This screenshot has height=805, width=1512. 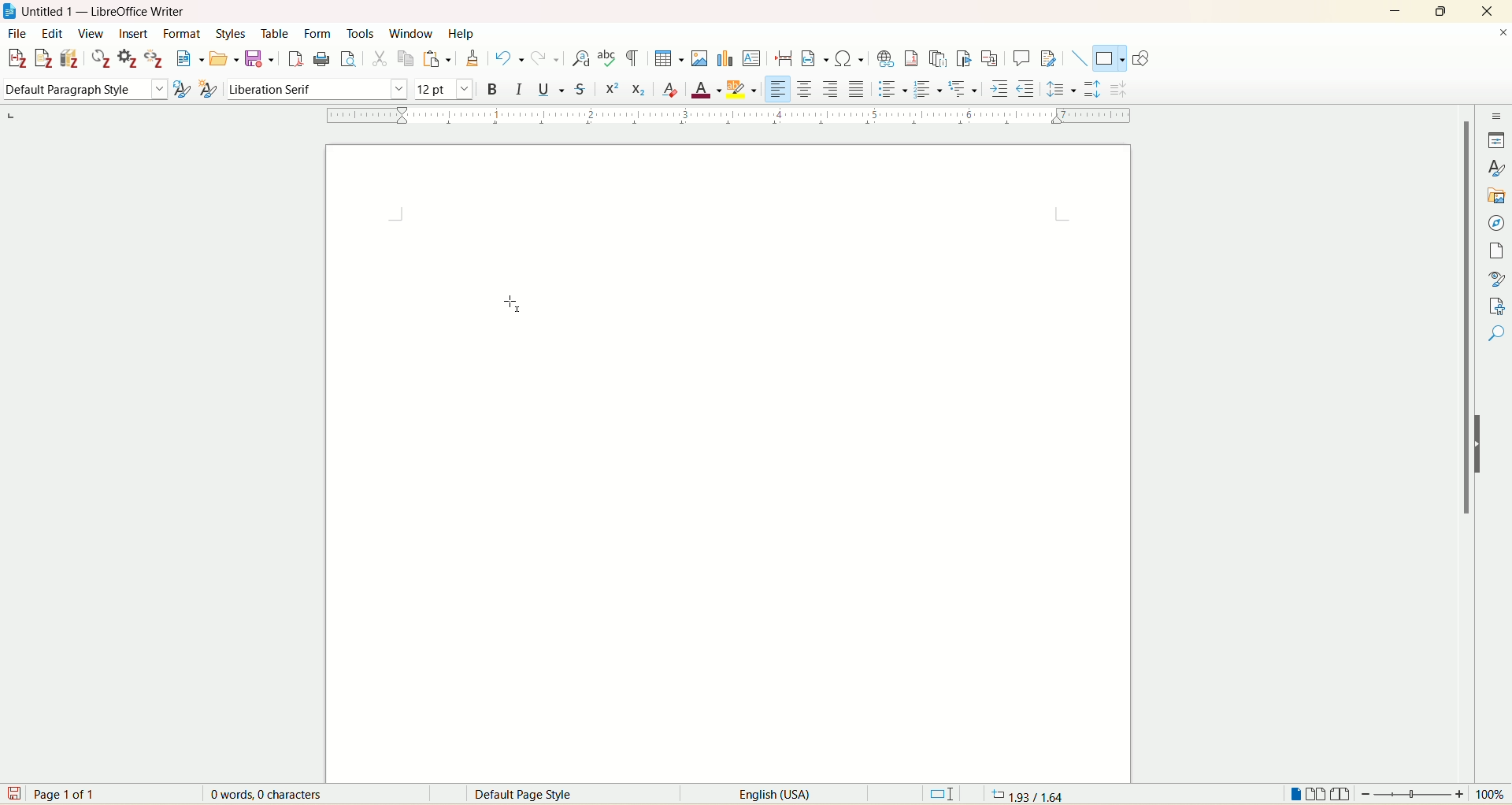 I want to click on insert comment, so click(x=1024, y=58).